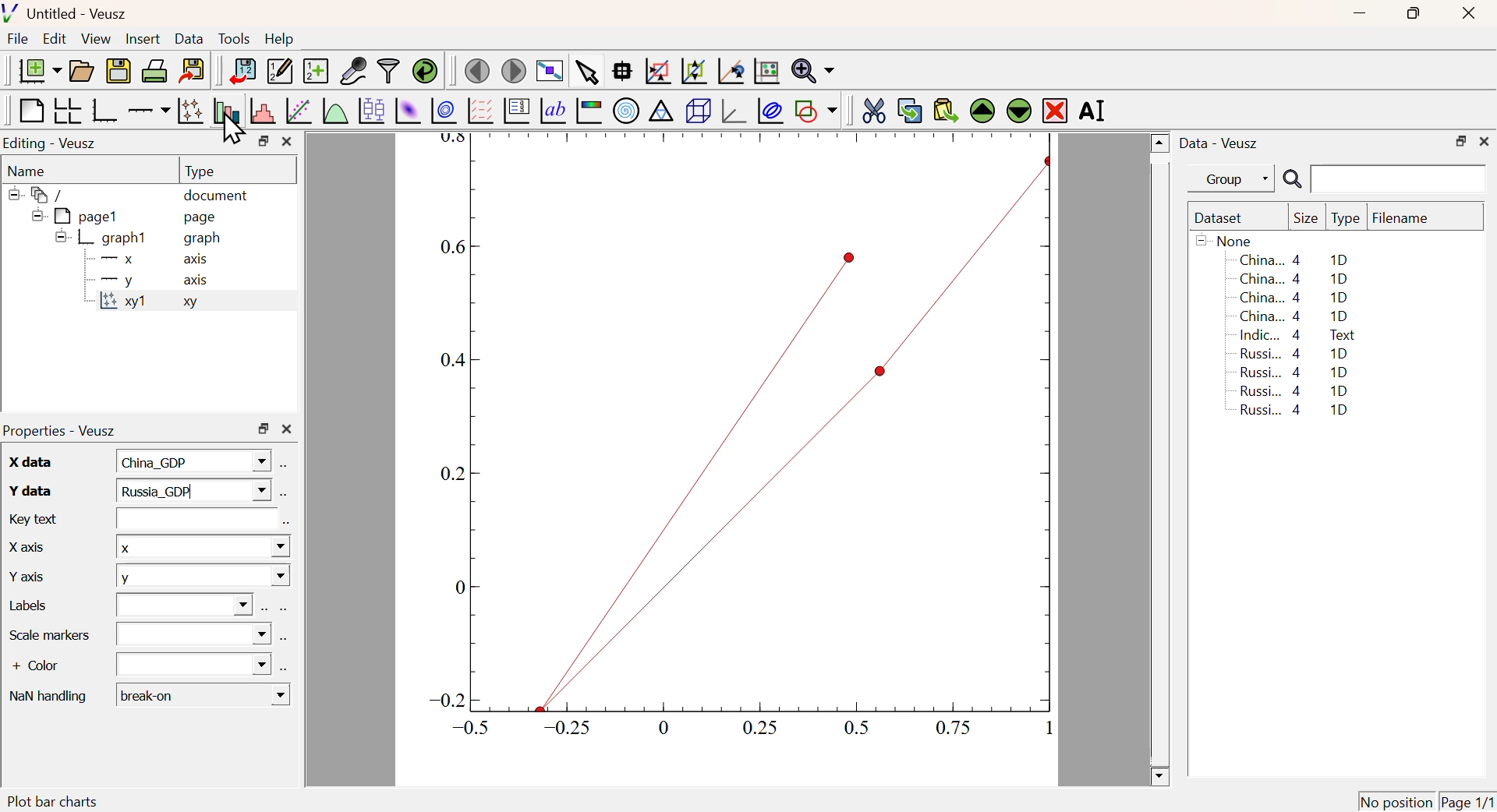 This screenshot has width=1497, height=812. What do you see at coordinates (1160, 461) in the screenshot?
I see `Scroll` at bounding box center [1160, 461].